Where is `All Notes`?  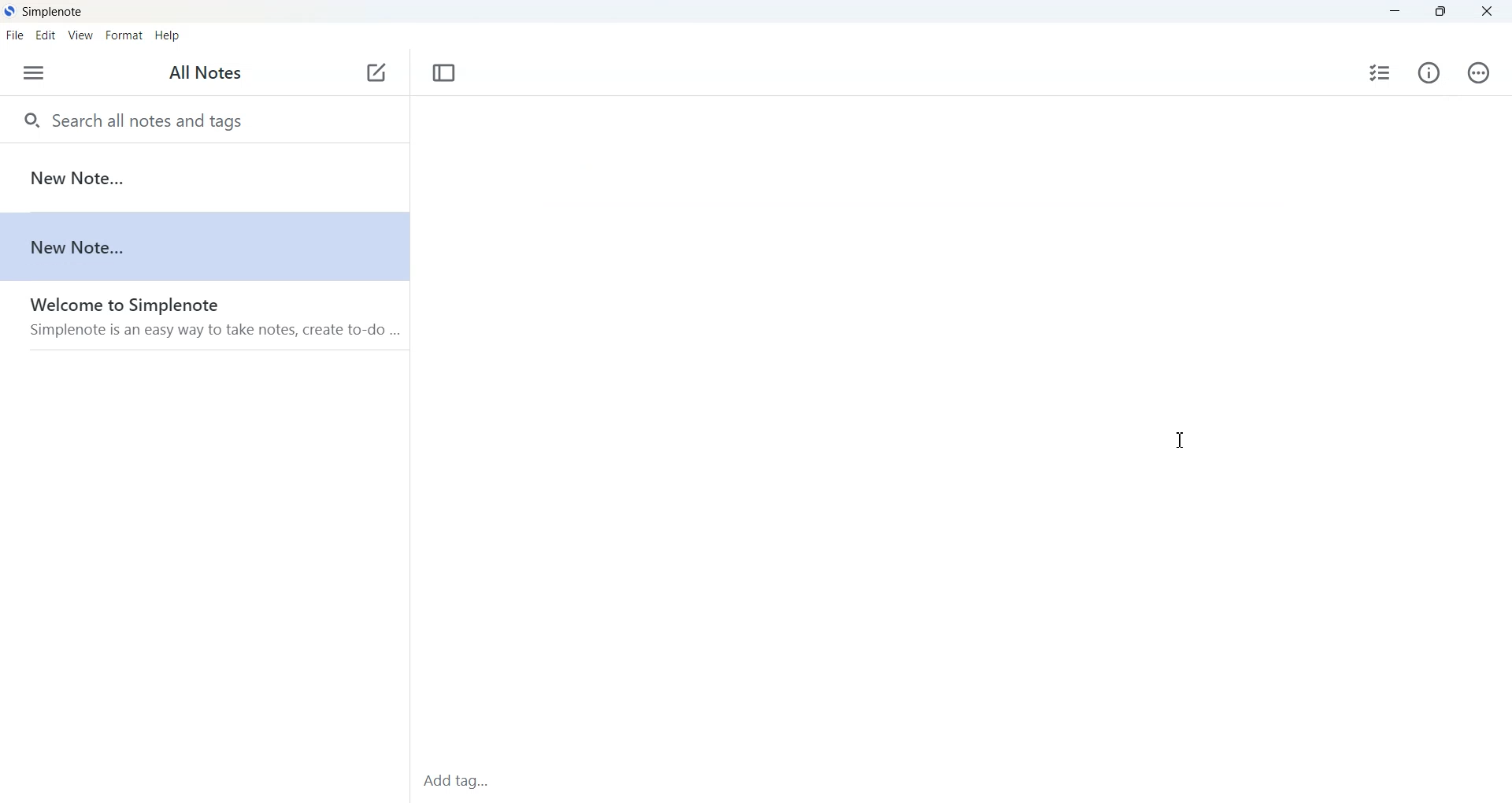 All Notes is located at coordinates (209, 73).